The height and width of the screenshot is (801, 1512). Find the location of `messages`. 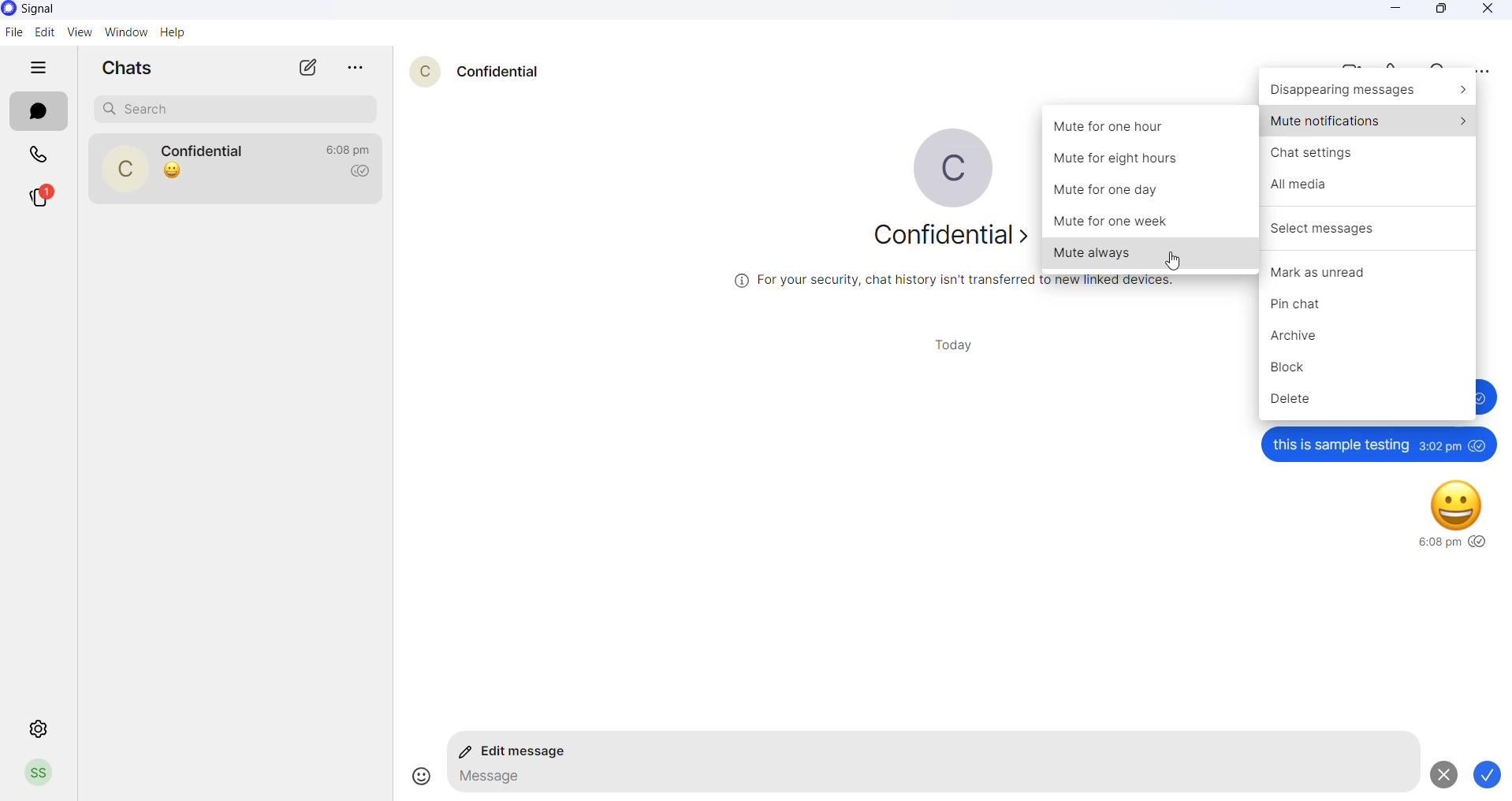

messages is located at coordinates (40, 114).